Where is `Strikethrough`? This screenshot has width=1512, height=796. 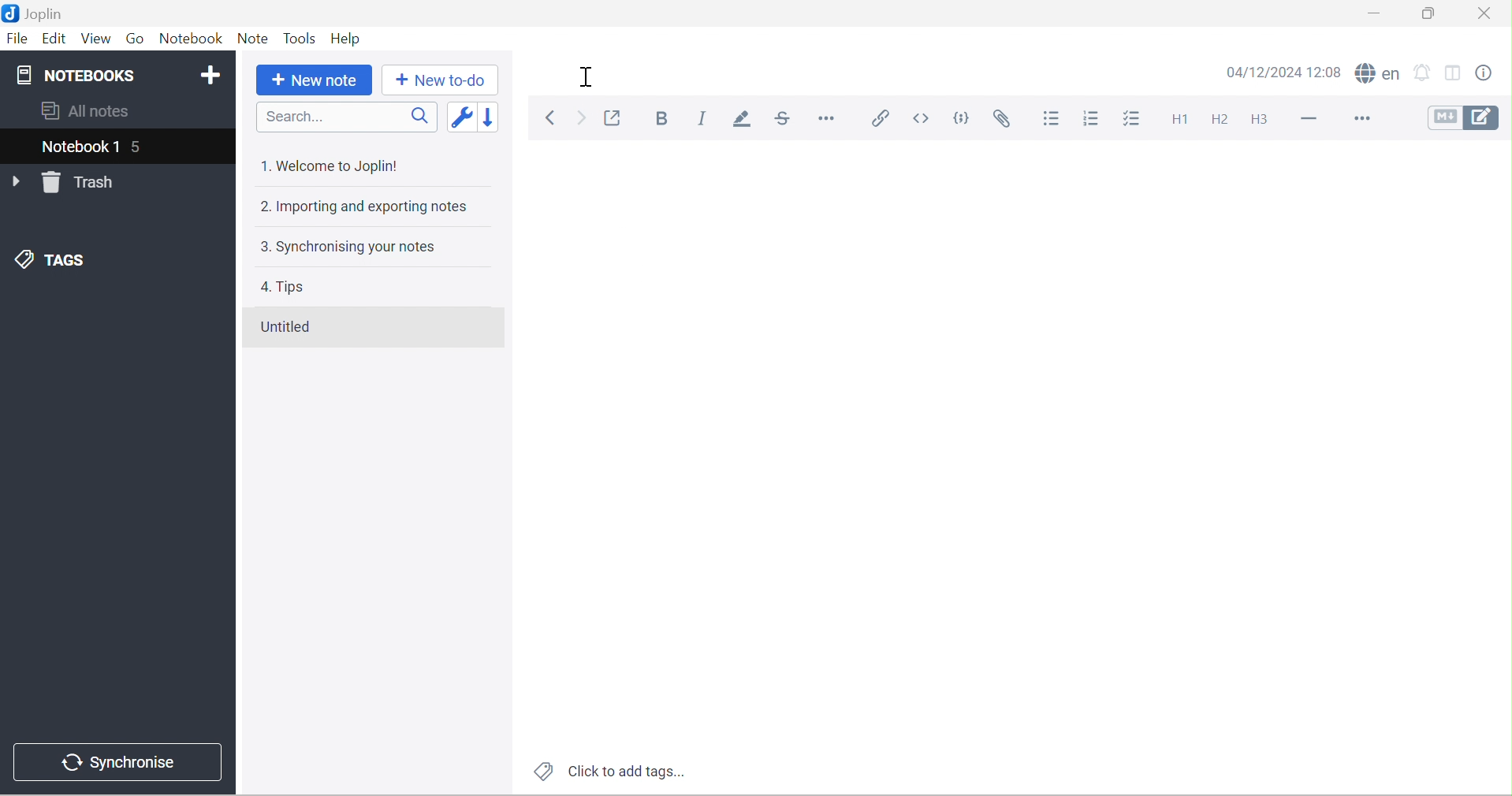
Strikethrough is located at coordinates (782, 119).